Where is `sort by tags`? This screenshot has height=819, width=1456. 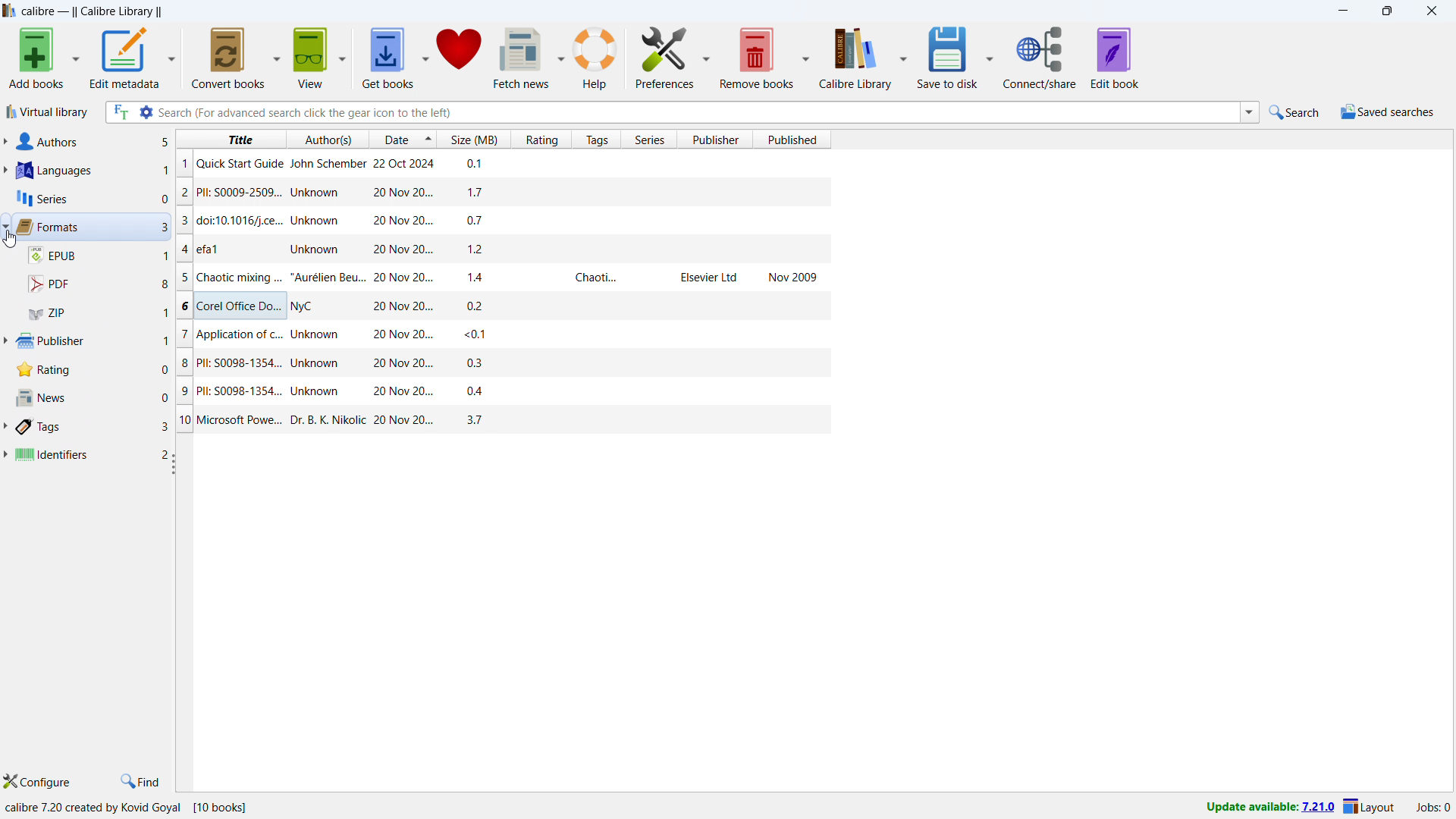 sort by tags is located at coordinates (597, 139).